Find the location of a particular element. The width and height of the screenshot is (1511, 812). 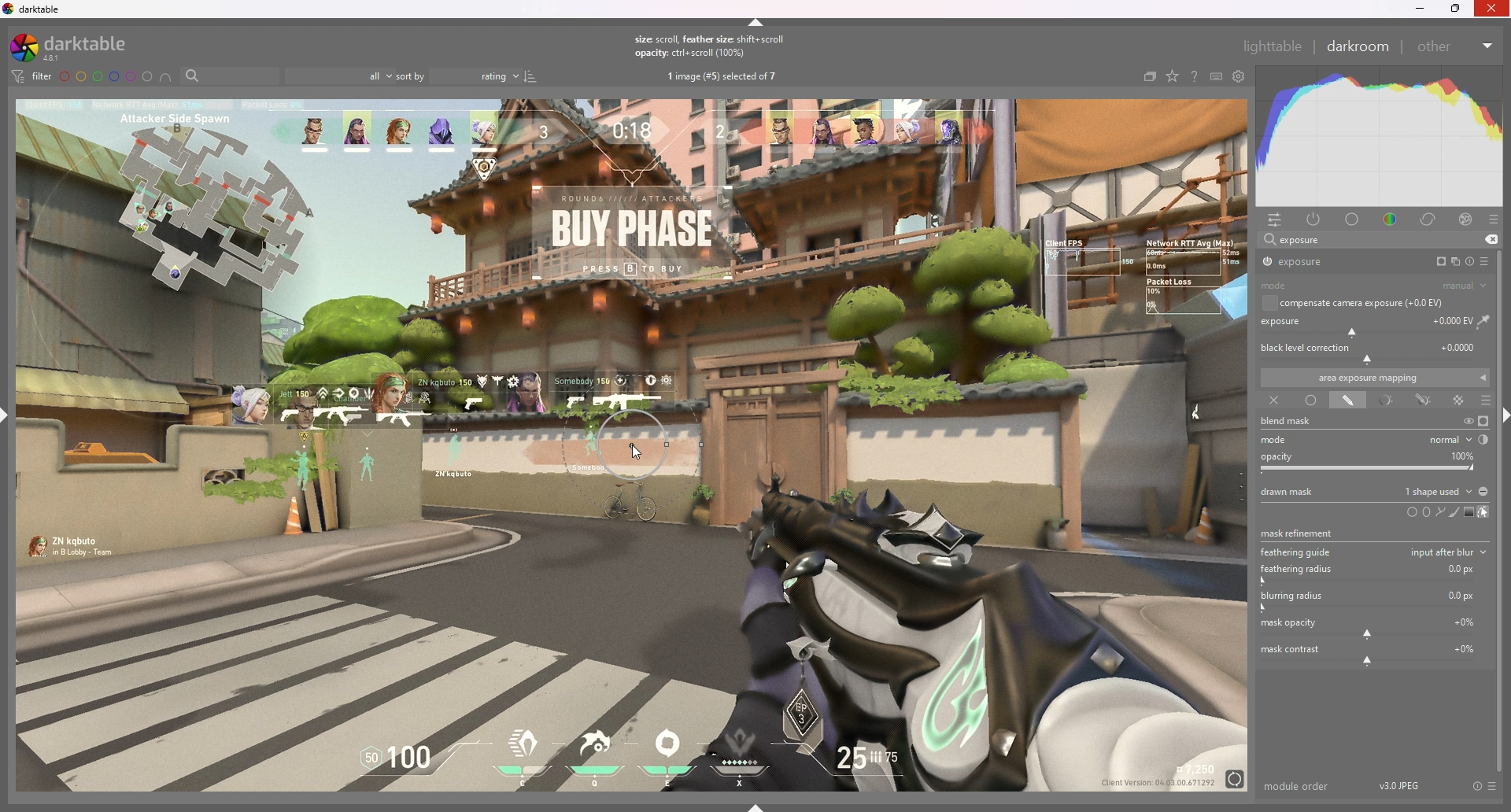

add gradient is located at coordinates (1468, 511).